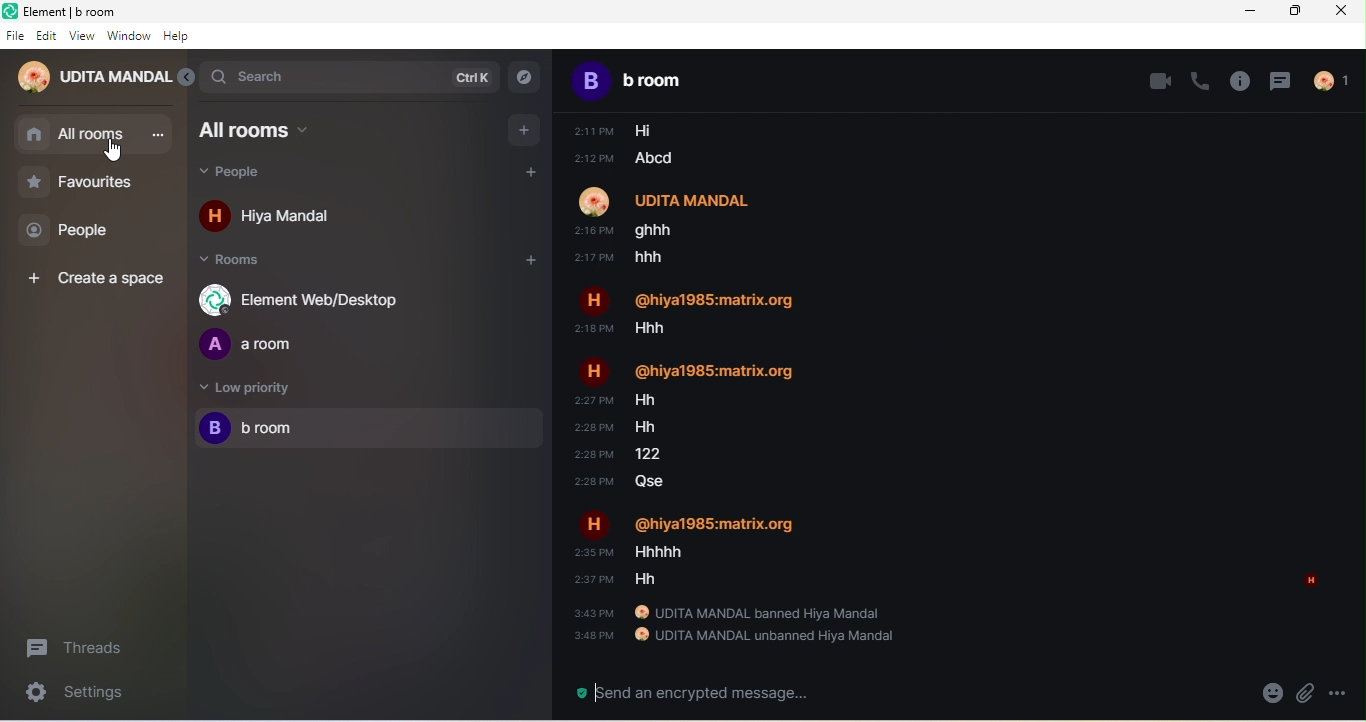 The width and height of the screenshot is (1366, 722). Describe the element at coordinates (85, 648) in the screenshot. I see `threads` at that location.